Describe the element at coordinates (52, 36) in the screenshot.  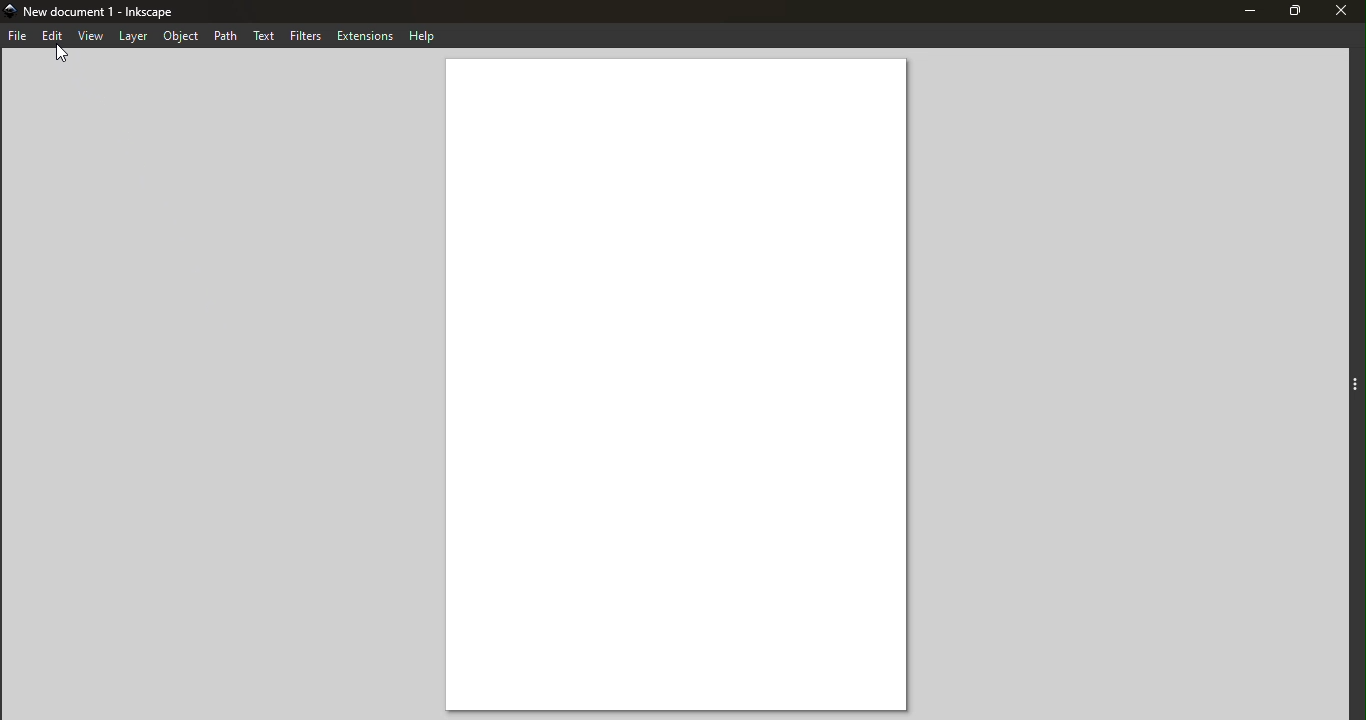
I see `Edit` at that location.